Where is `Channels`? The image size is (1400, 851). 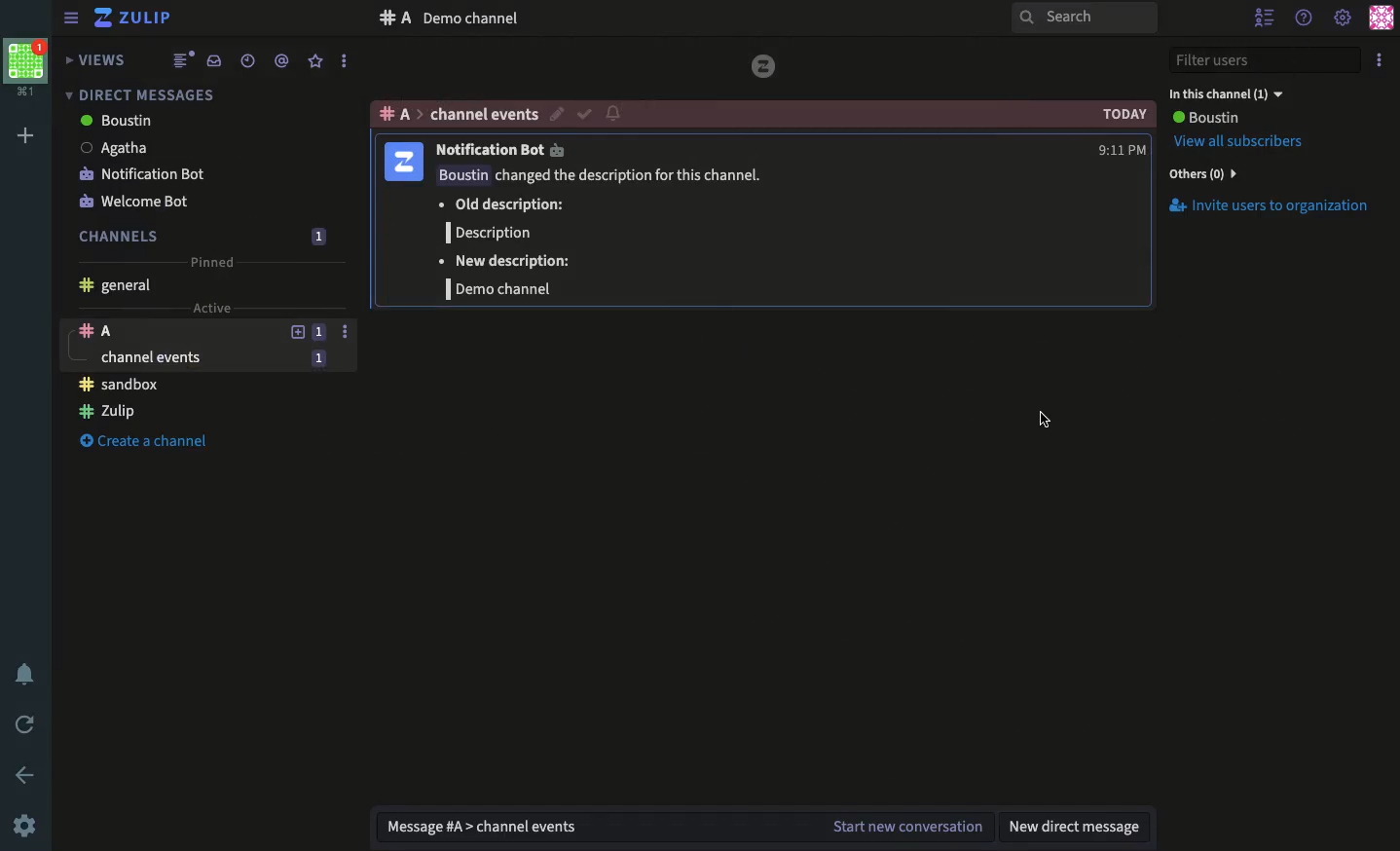 Channels is located at coordinates (120, 236).